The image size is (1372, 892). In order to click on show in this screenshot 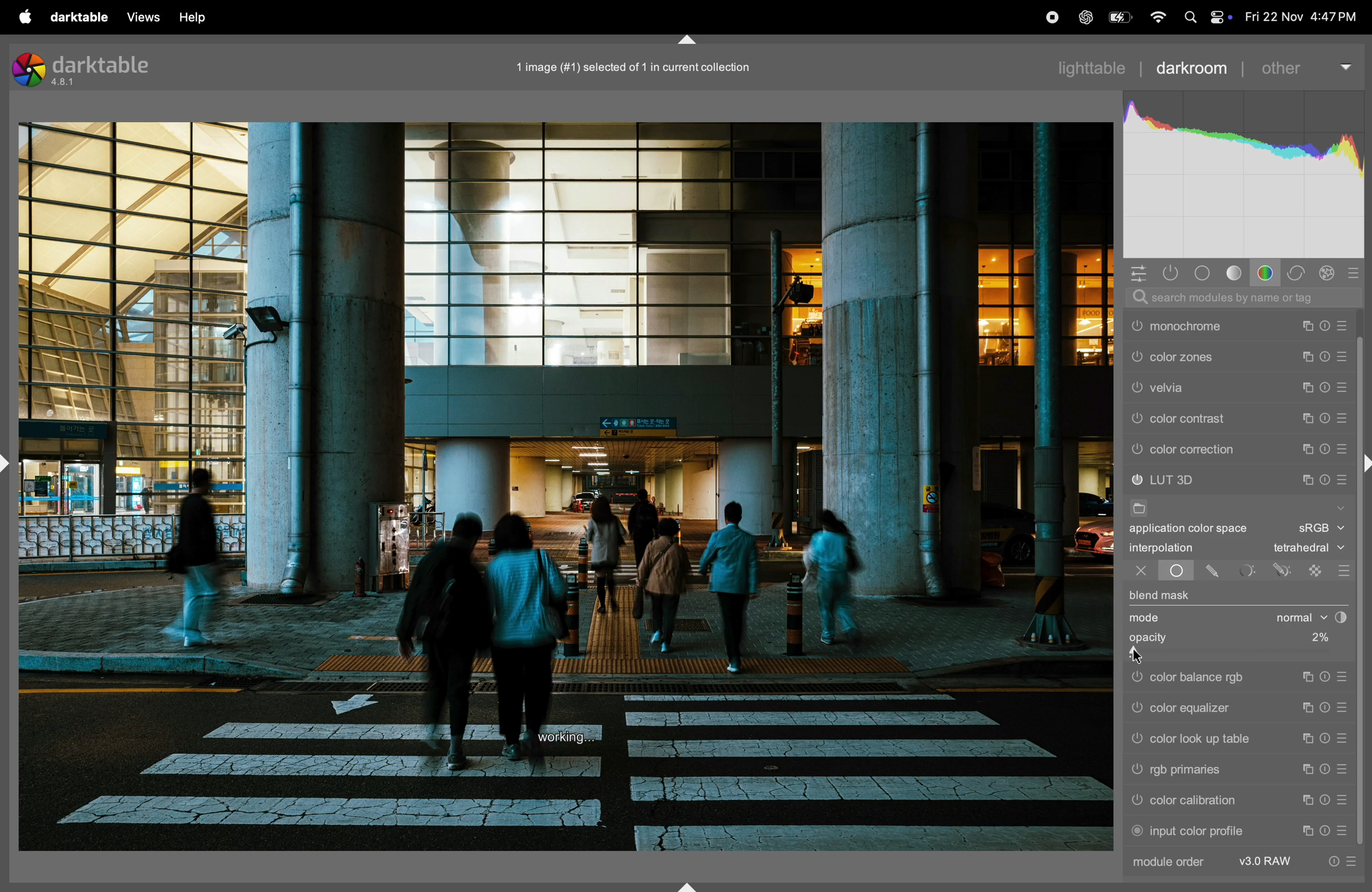, I will do `click(1341, 507)`.